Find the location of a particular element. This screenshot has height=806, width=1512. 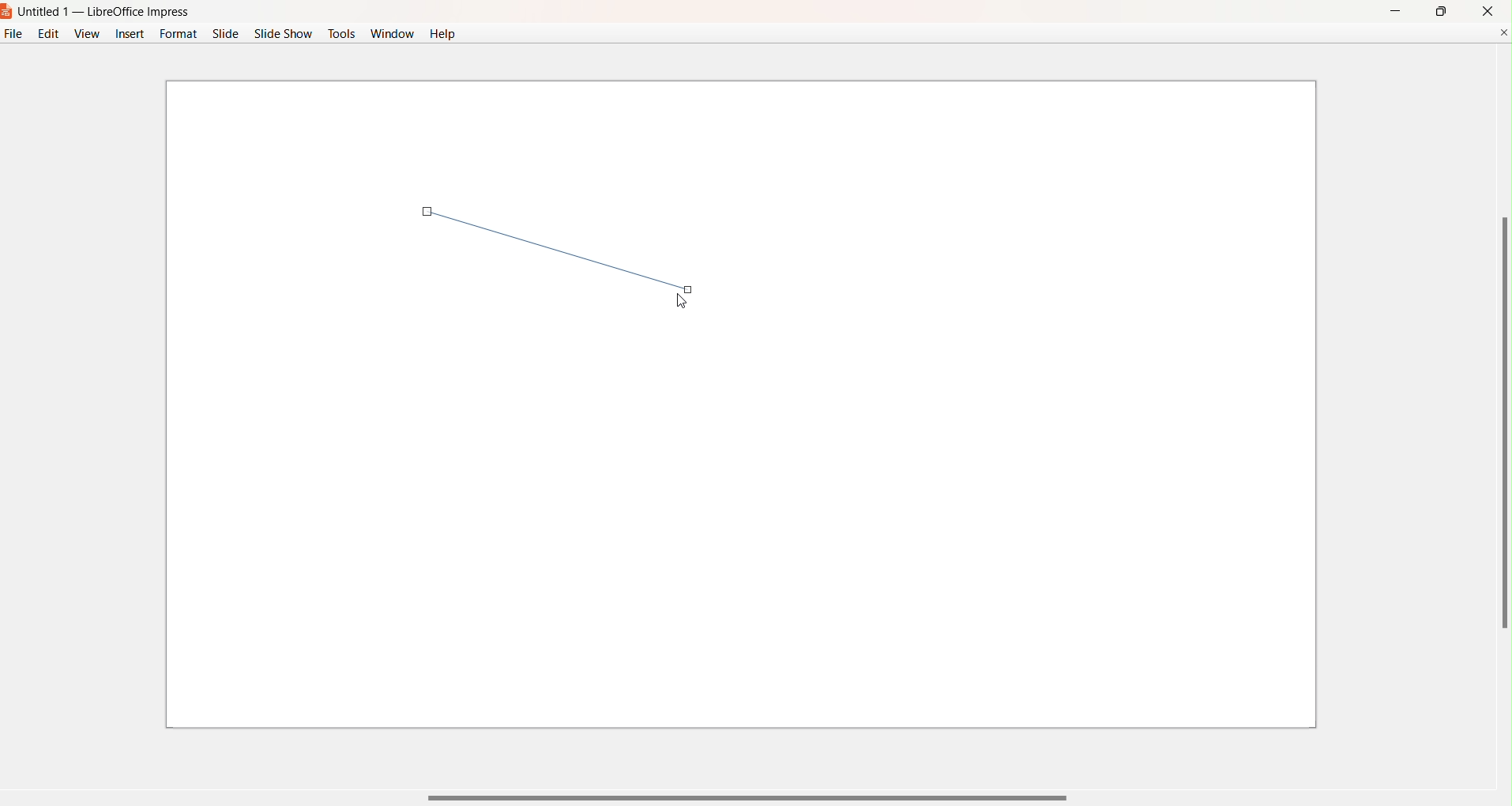

Logo is located at coordinates (8, 13).